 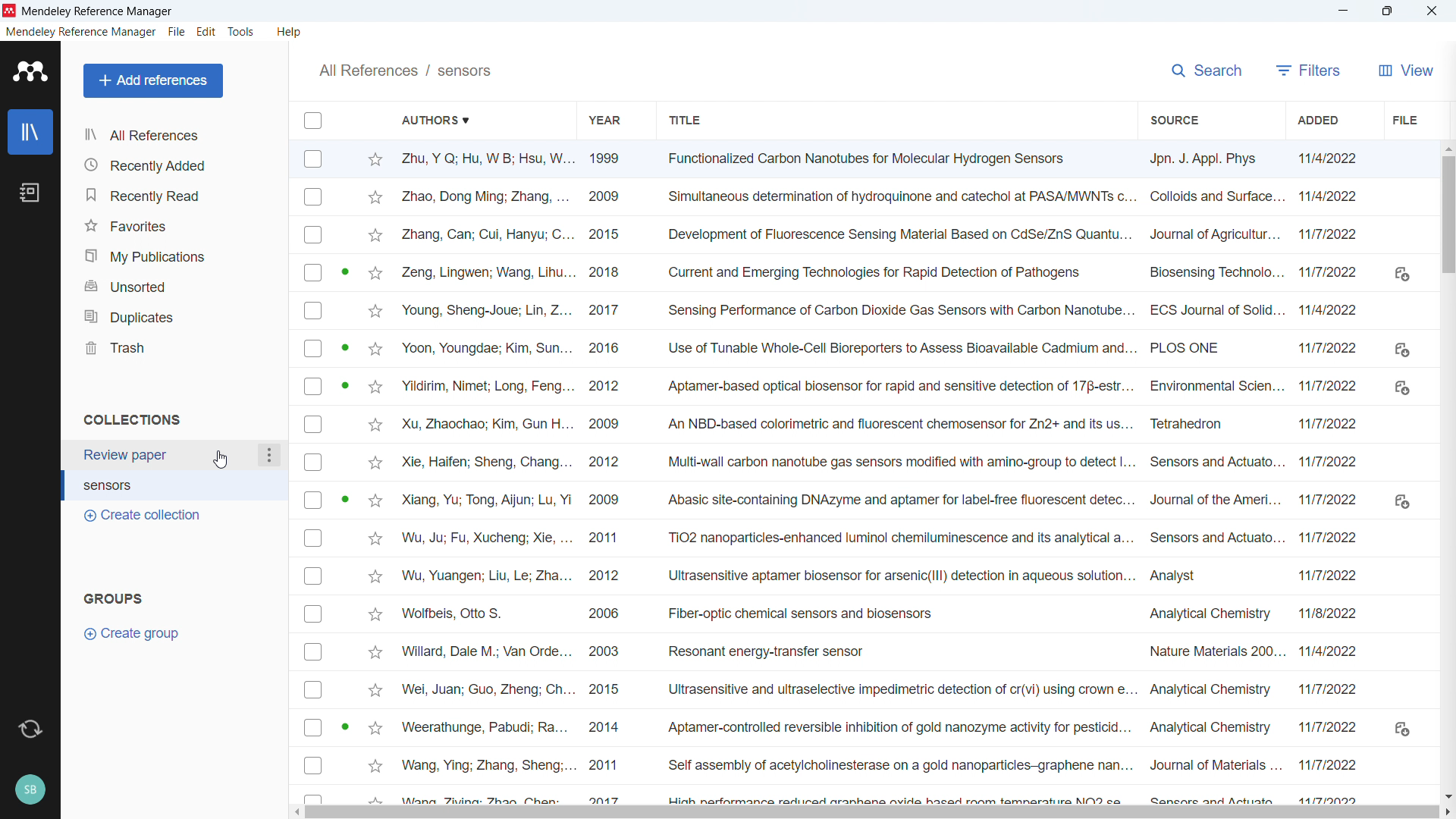 What do you see at coordinates (1447, 795) in the screenshot?
I see `Scroll down ` at bounding box center [1447, 795].